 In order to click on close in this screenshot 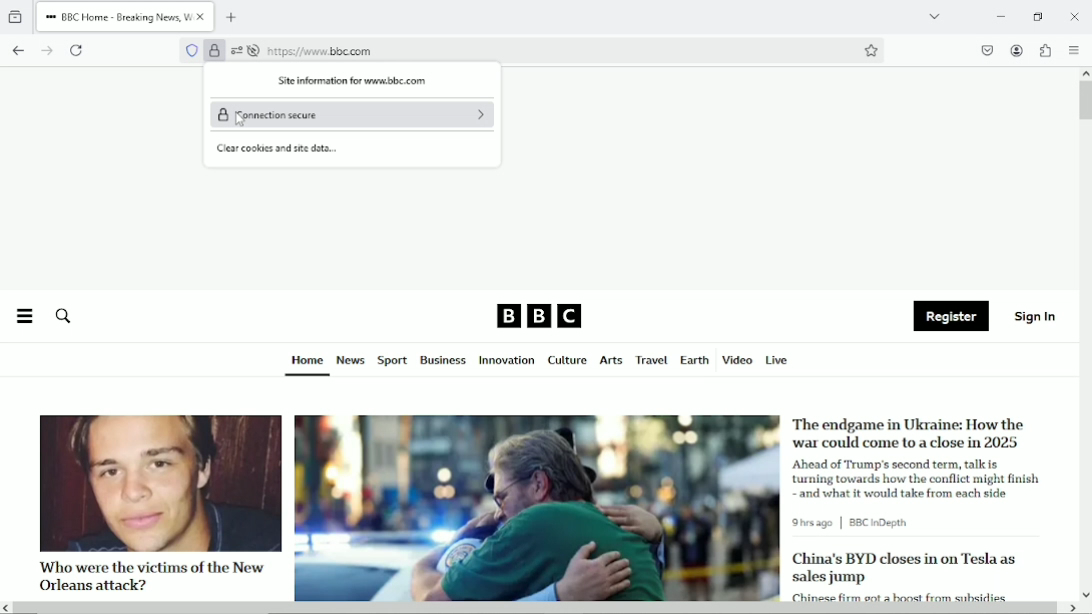, I will do `click(202, 16)`.